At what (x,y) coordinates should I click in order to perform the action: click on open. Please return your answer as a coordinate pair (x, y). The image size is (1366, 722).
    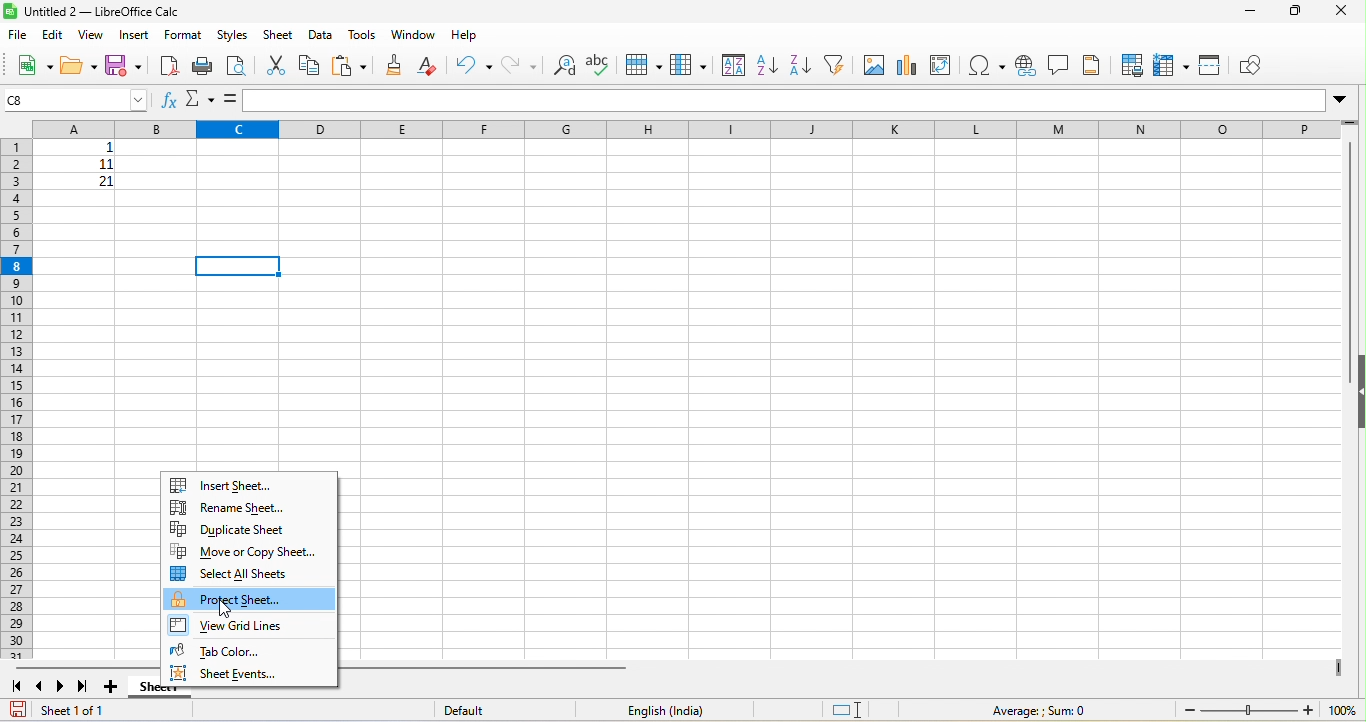
    Looking at the image, I should click on (78, 67).